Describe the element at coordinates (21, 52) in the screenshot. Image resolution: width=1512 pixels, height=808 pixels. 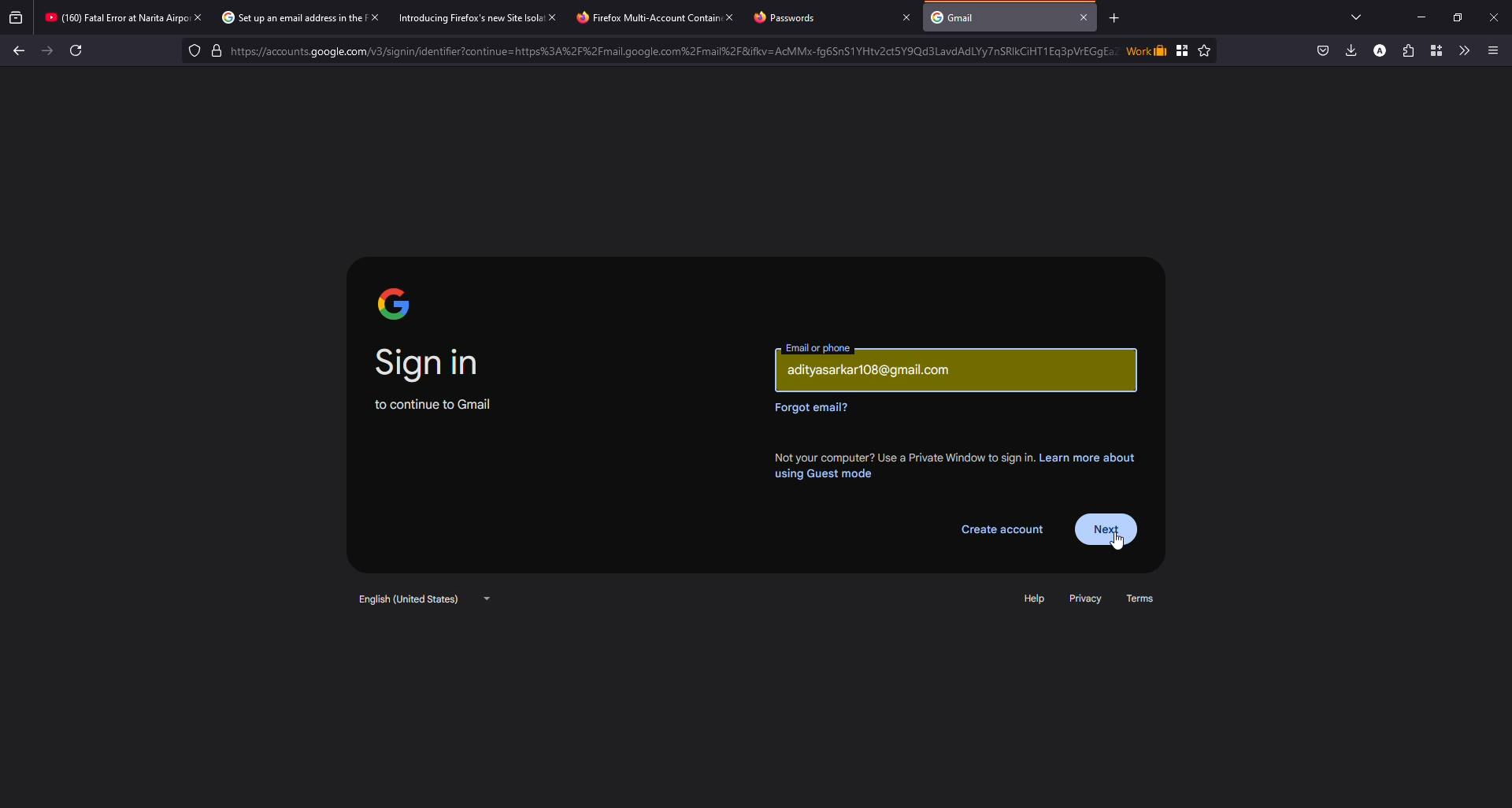
I see `Back` at that location.